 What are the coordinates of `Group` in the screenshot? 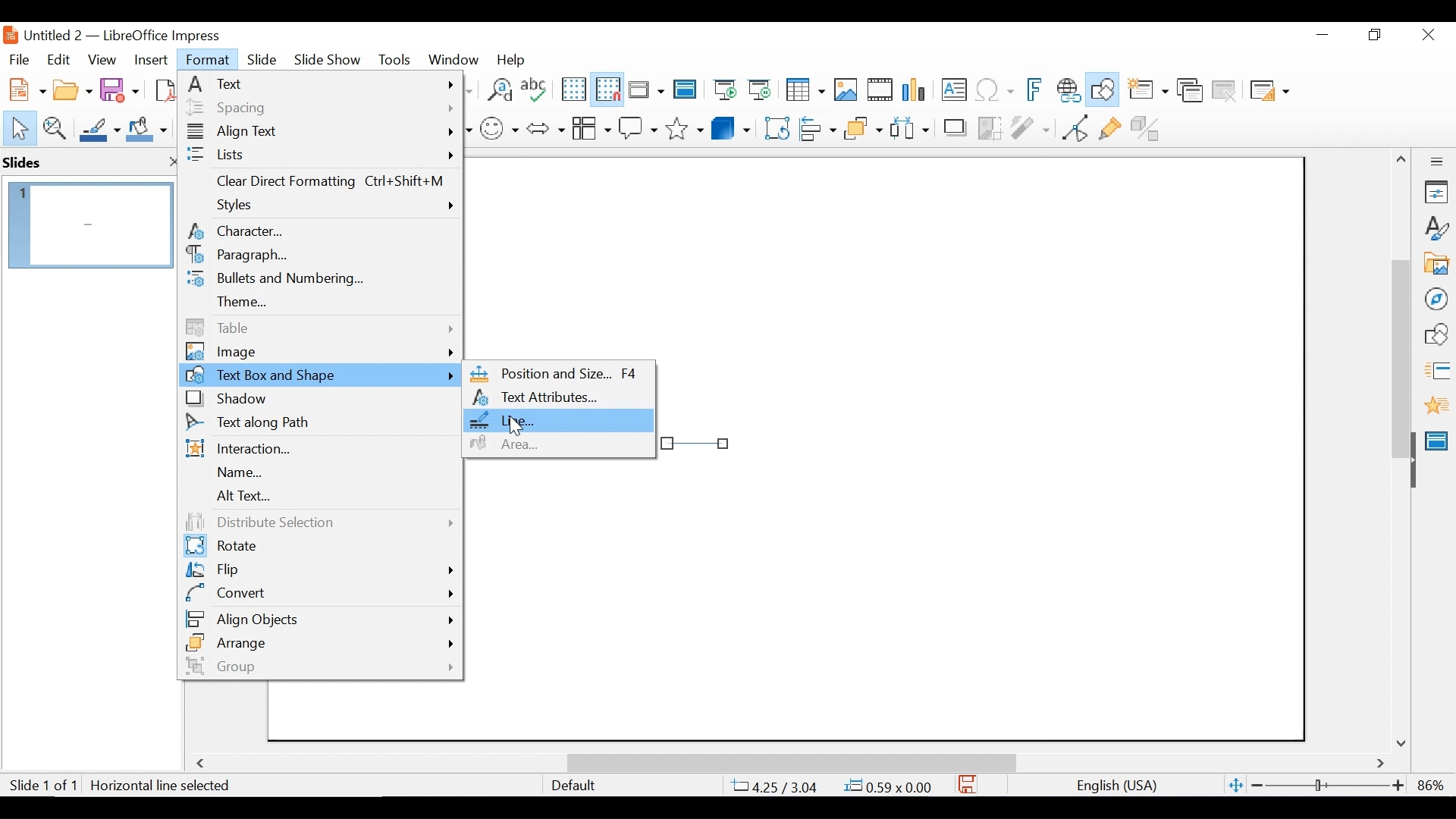 It's located at (318, 666).